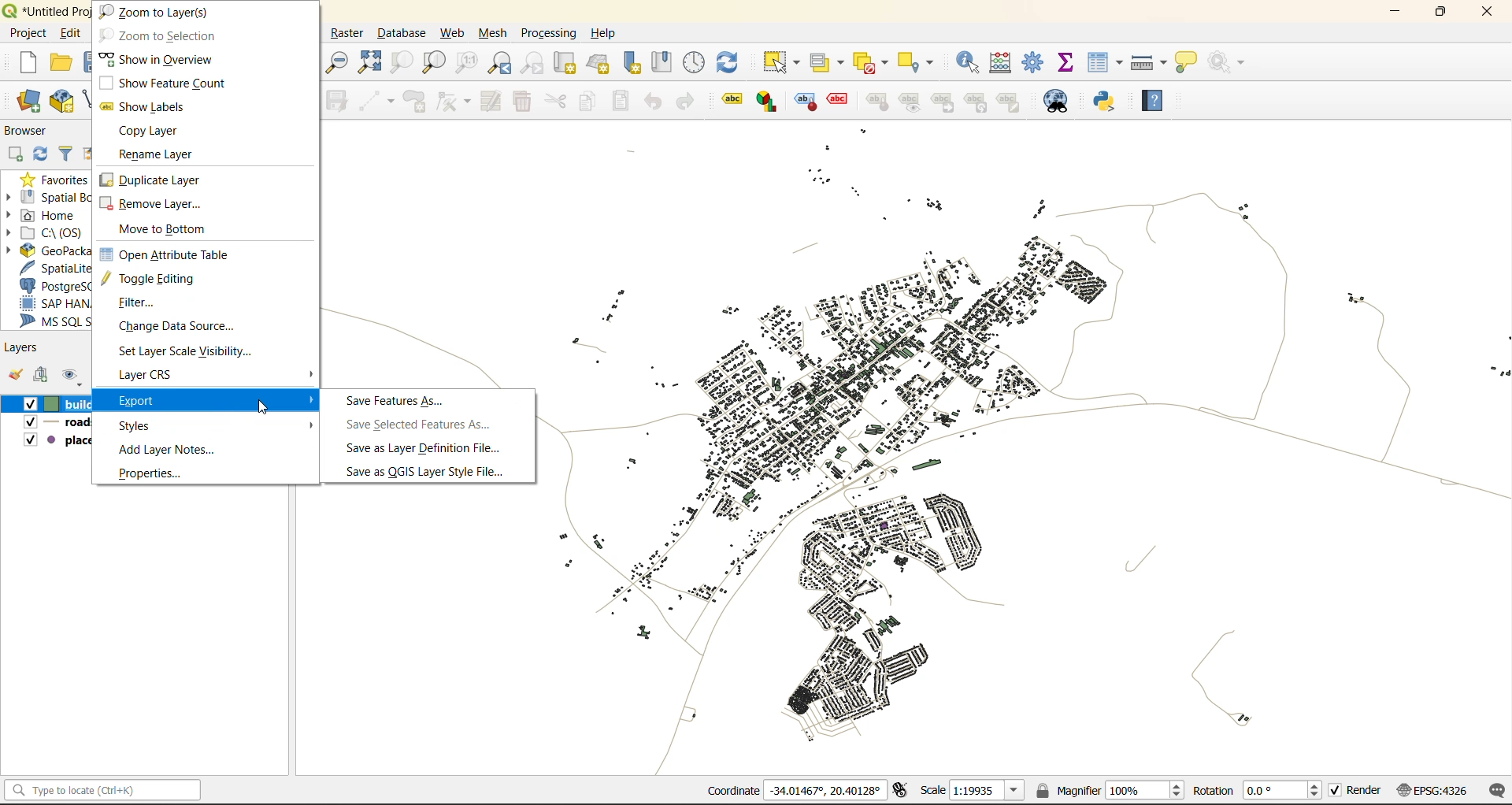 The image size is (1512, 805). Describe the element at coordinates (261, 404) in the screenshot. I see `cursor` at that location.